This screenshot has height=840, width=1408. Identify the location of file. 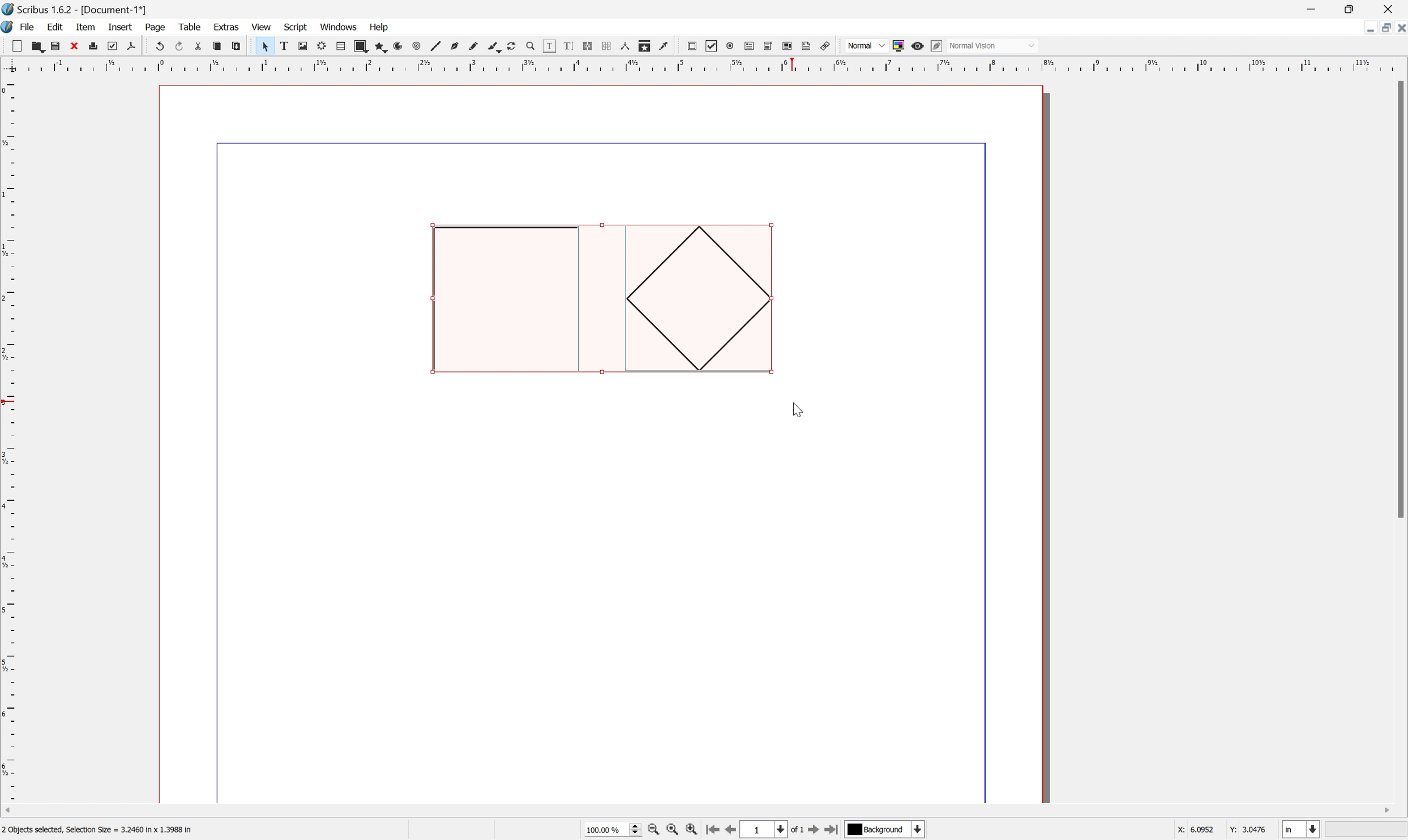
(29, 26).